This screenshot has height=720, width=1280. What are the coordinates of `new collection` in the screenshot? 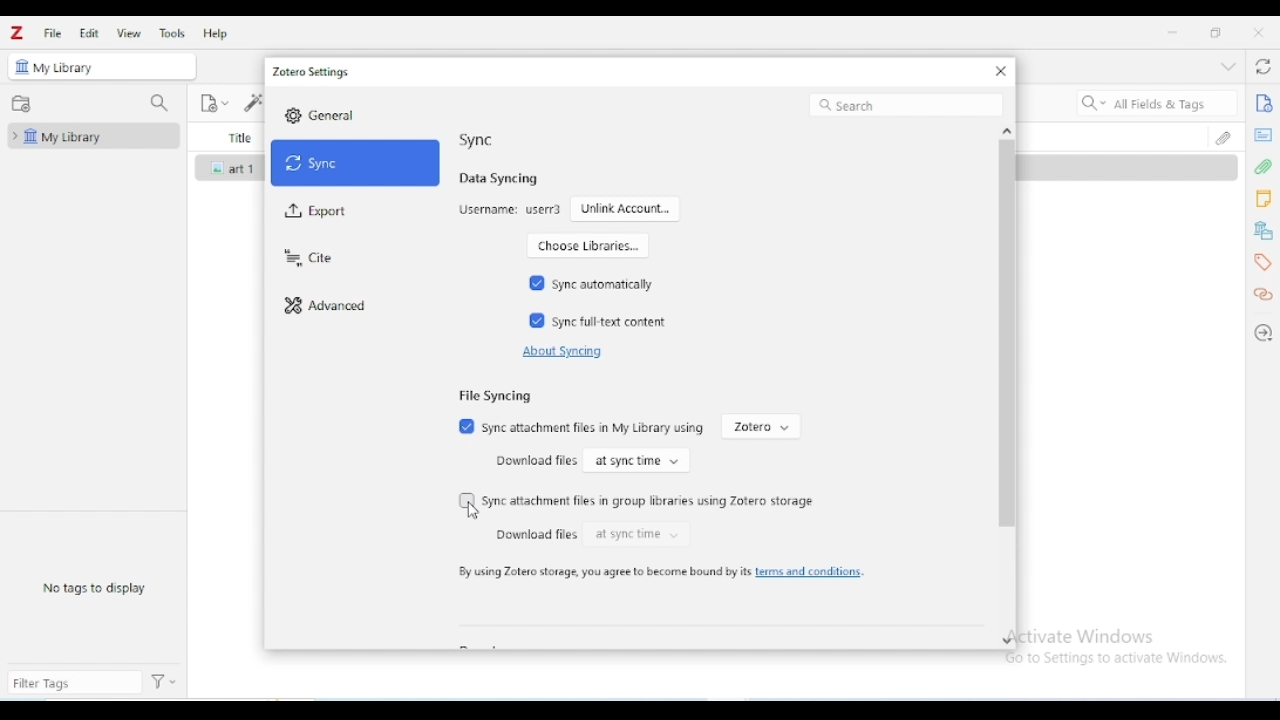 It's located at (21, 104).